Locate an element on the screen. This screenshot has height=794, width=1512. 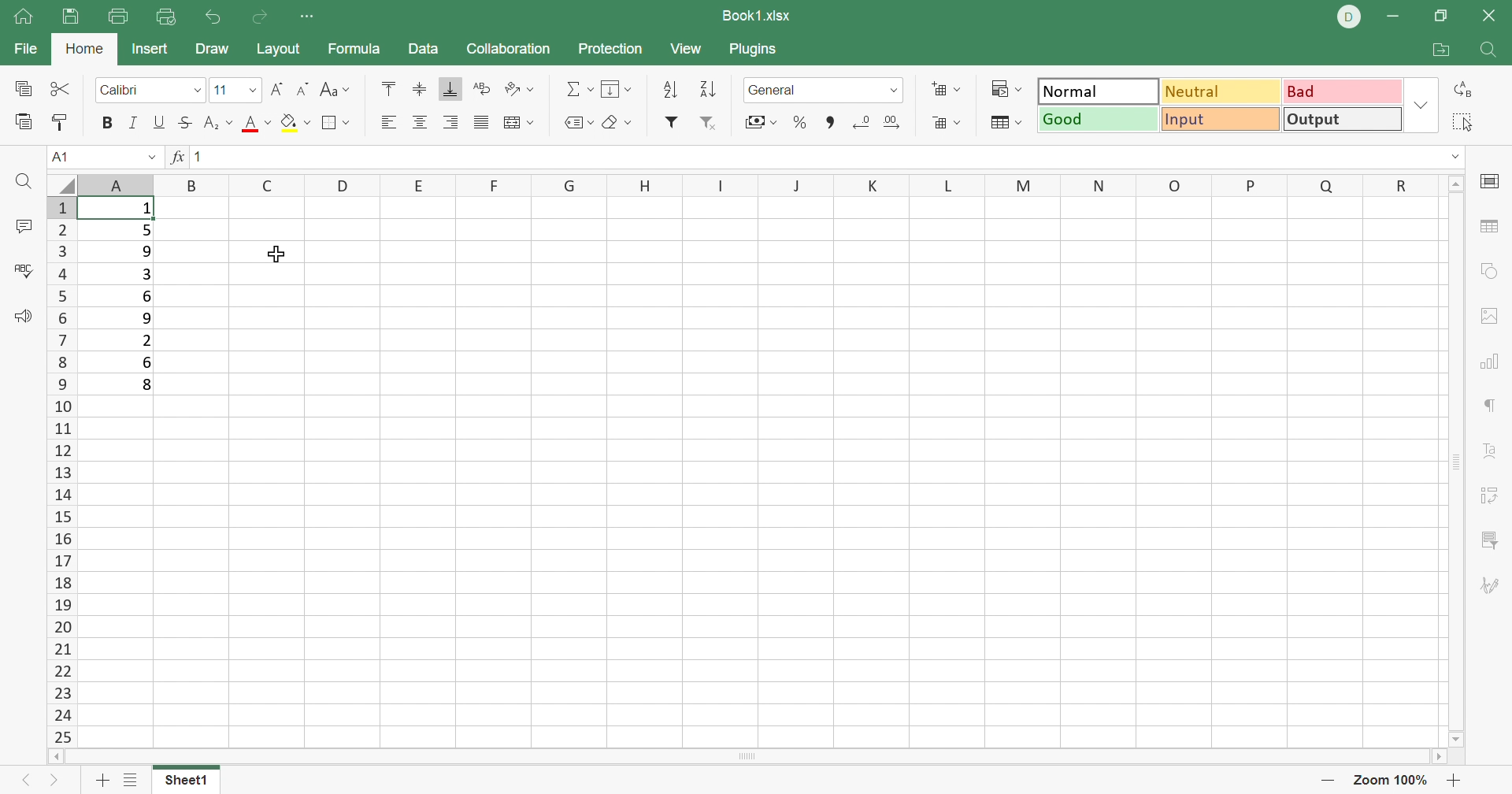
Italic is located at coordinates (133, 122).